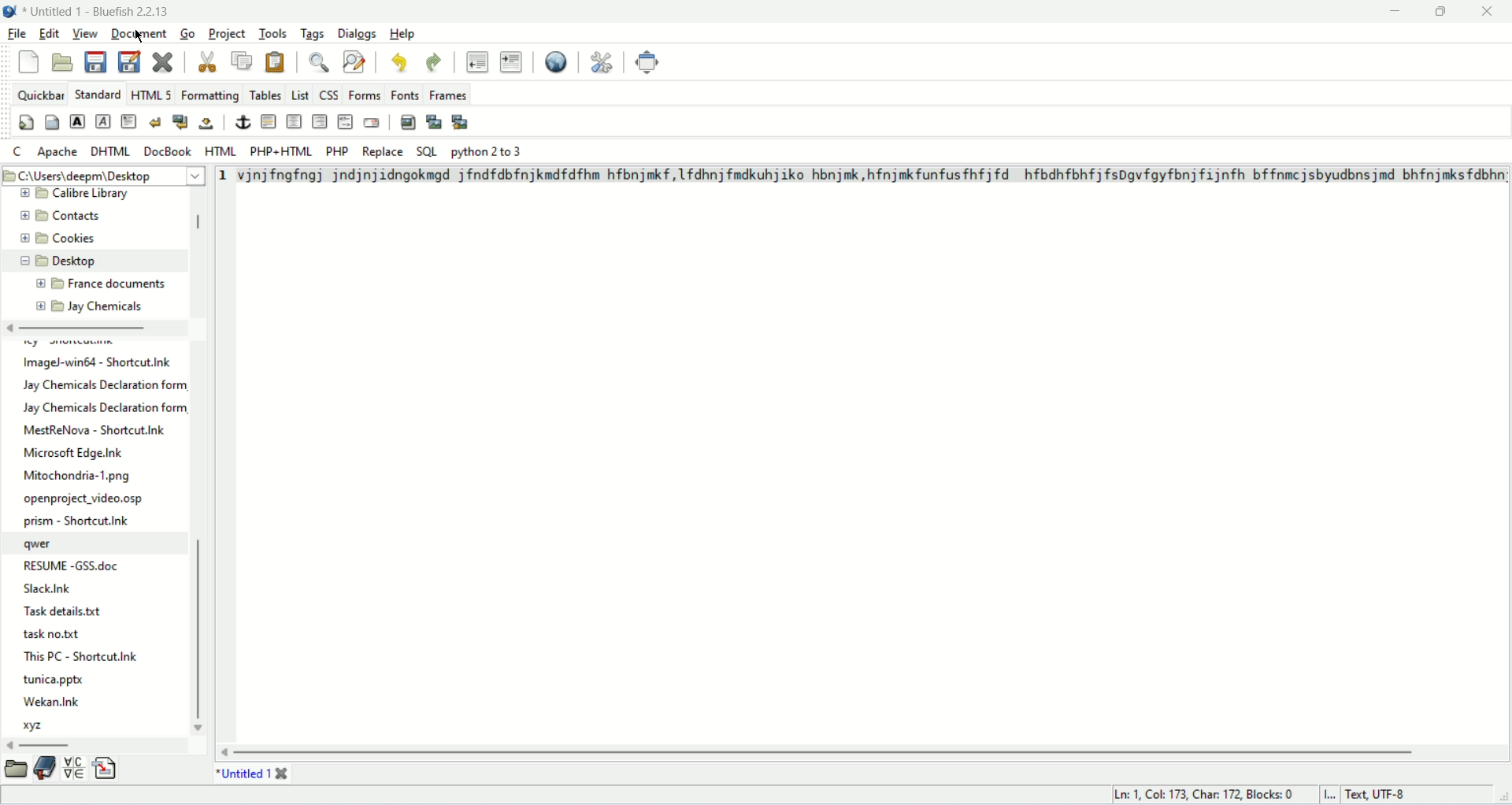 This screenshot has width=1512, height=805. I want to click on frames, so click(449, 97).